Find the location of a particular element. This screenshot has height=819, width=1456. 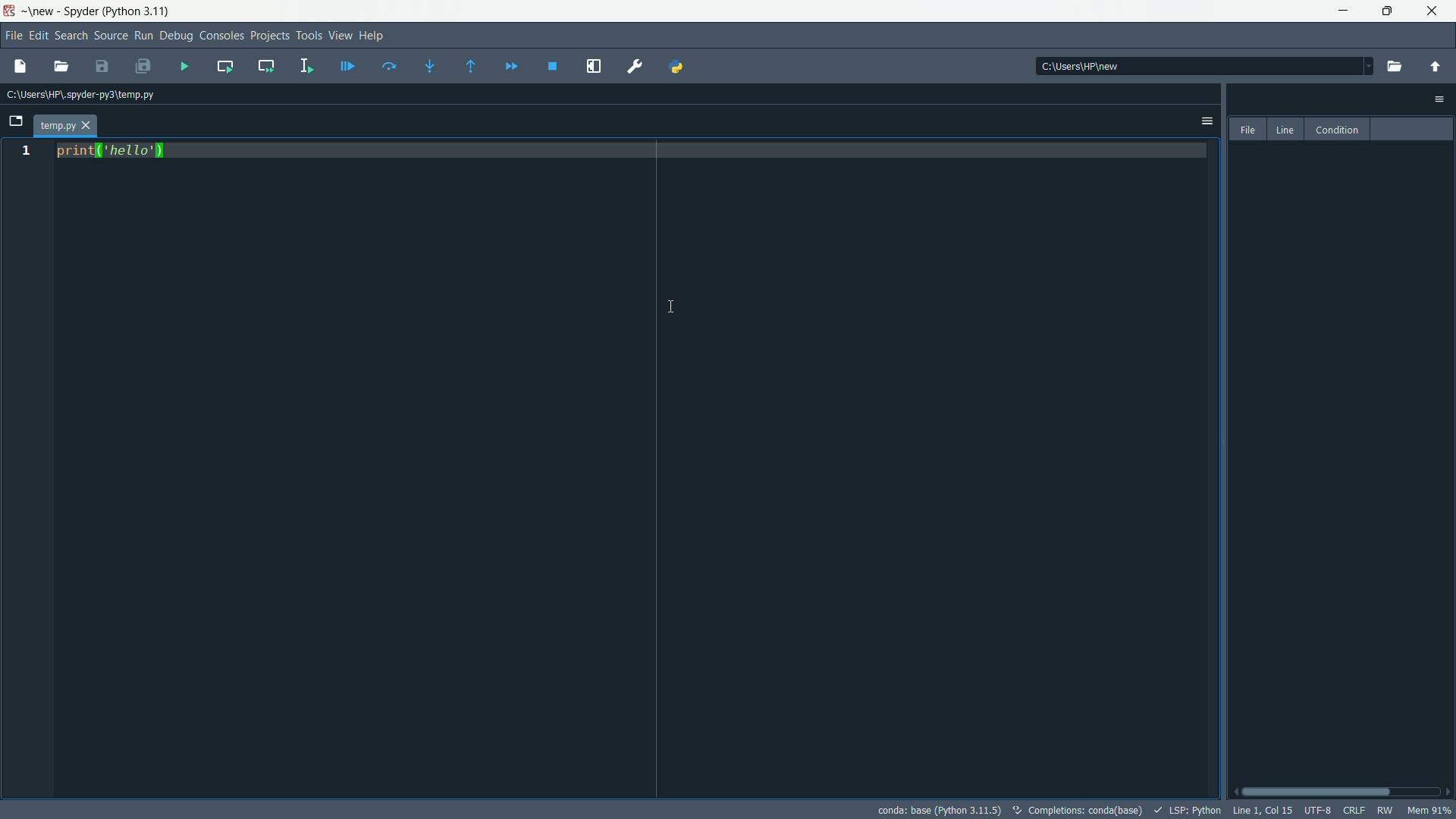

run selection is located at coordinates (306, 67).